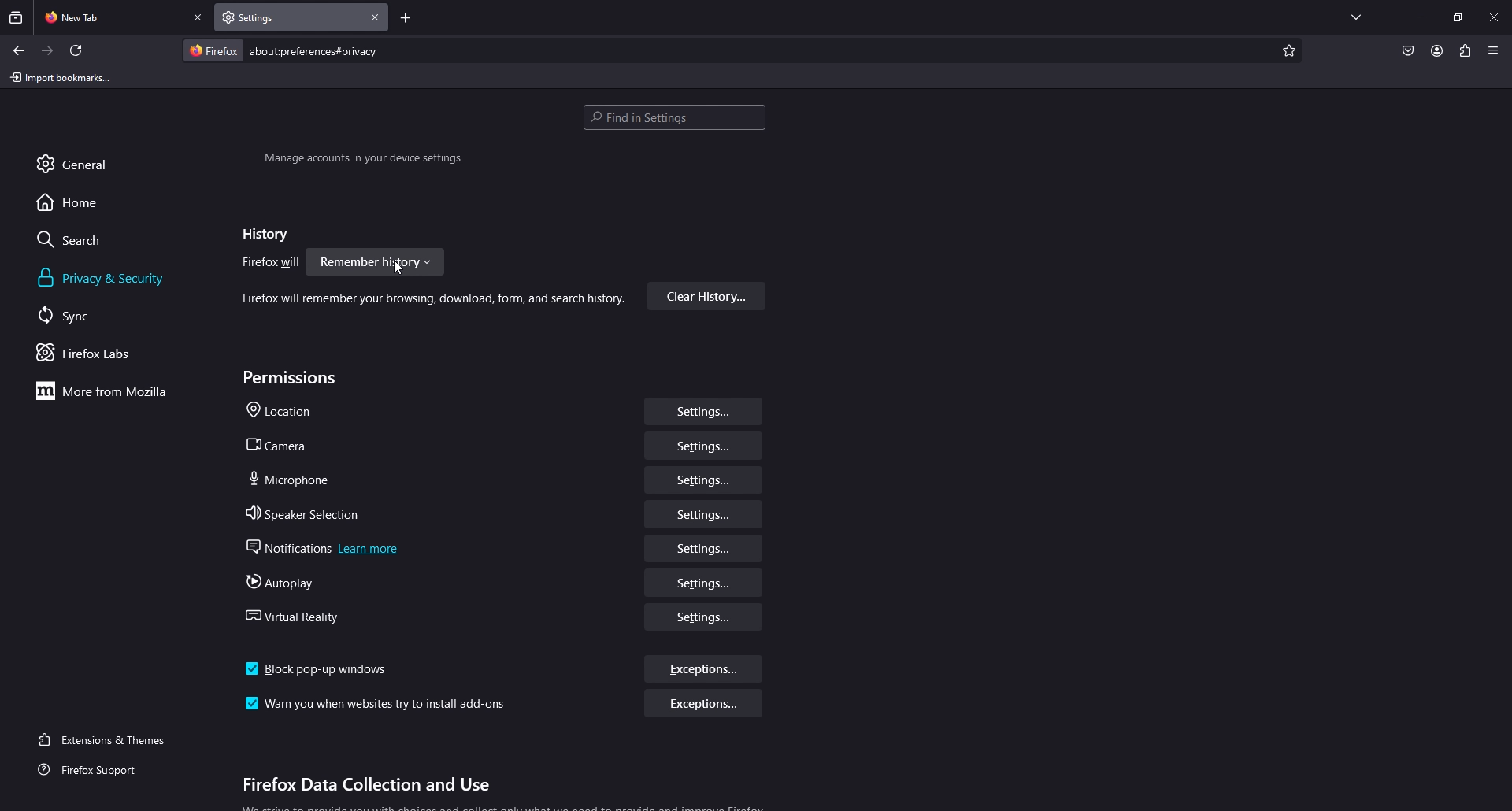  What do you see at coordinates (76, 50) in the screenshot?
I see `refresh` at bounding box center [76, 50].